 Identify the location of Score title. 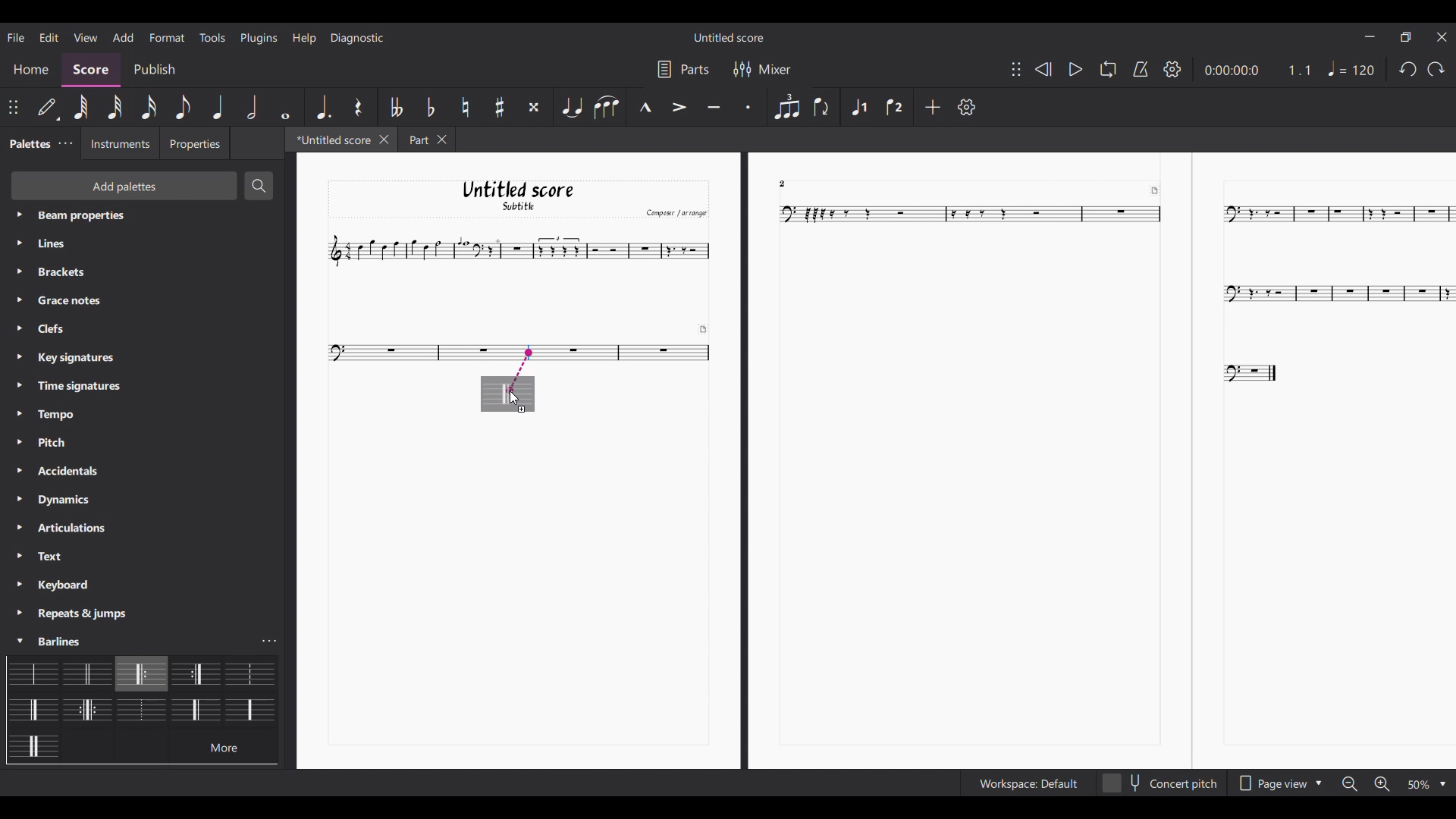
(728, 36).